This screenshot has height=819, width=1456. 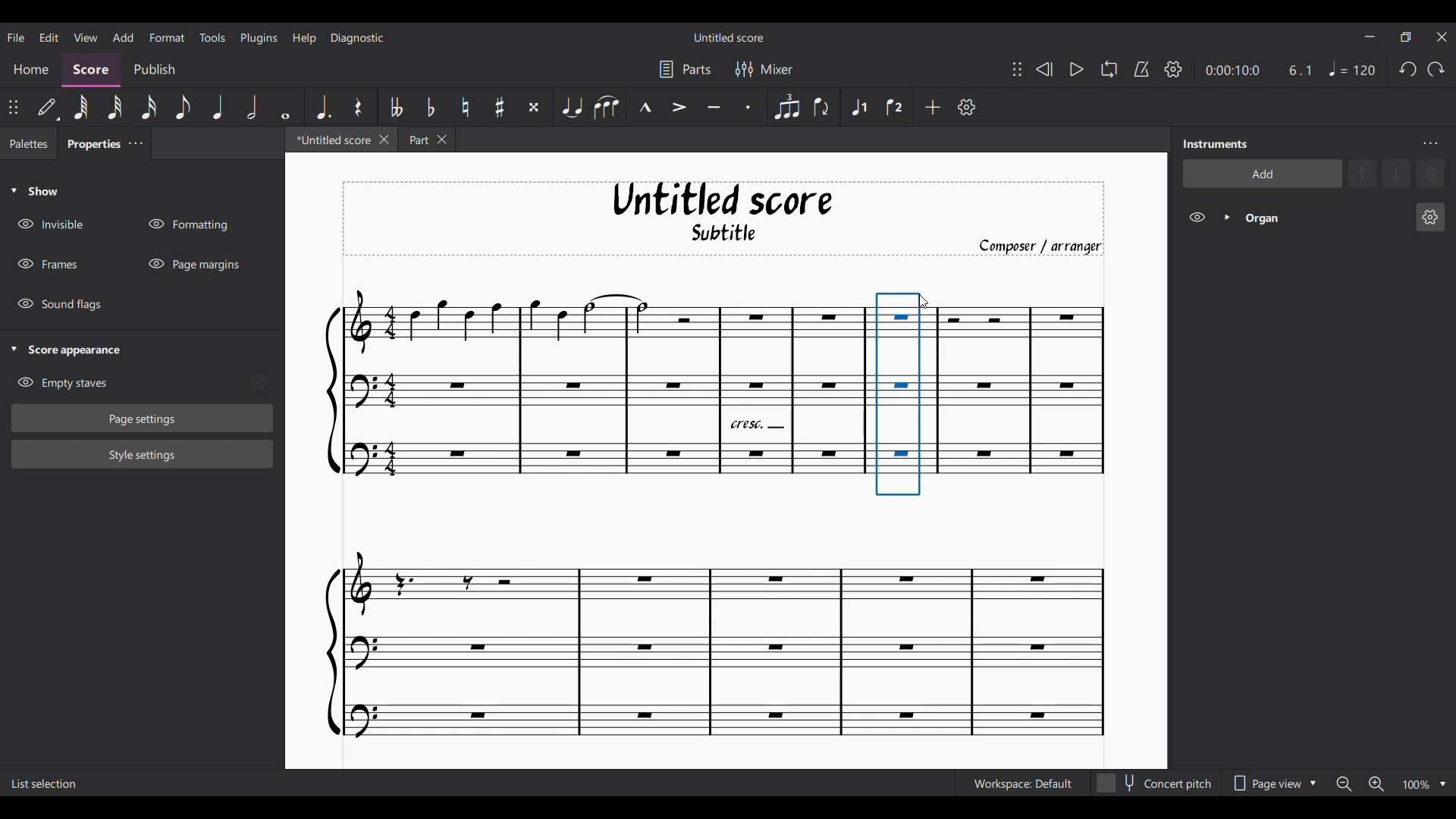 What do you see at coordinates (606, 107) in the screenshot?
I see `Slur` at bounding box center [606, 107].